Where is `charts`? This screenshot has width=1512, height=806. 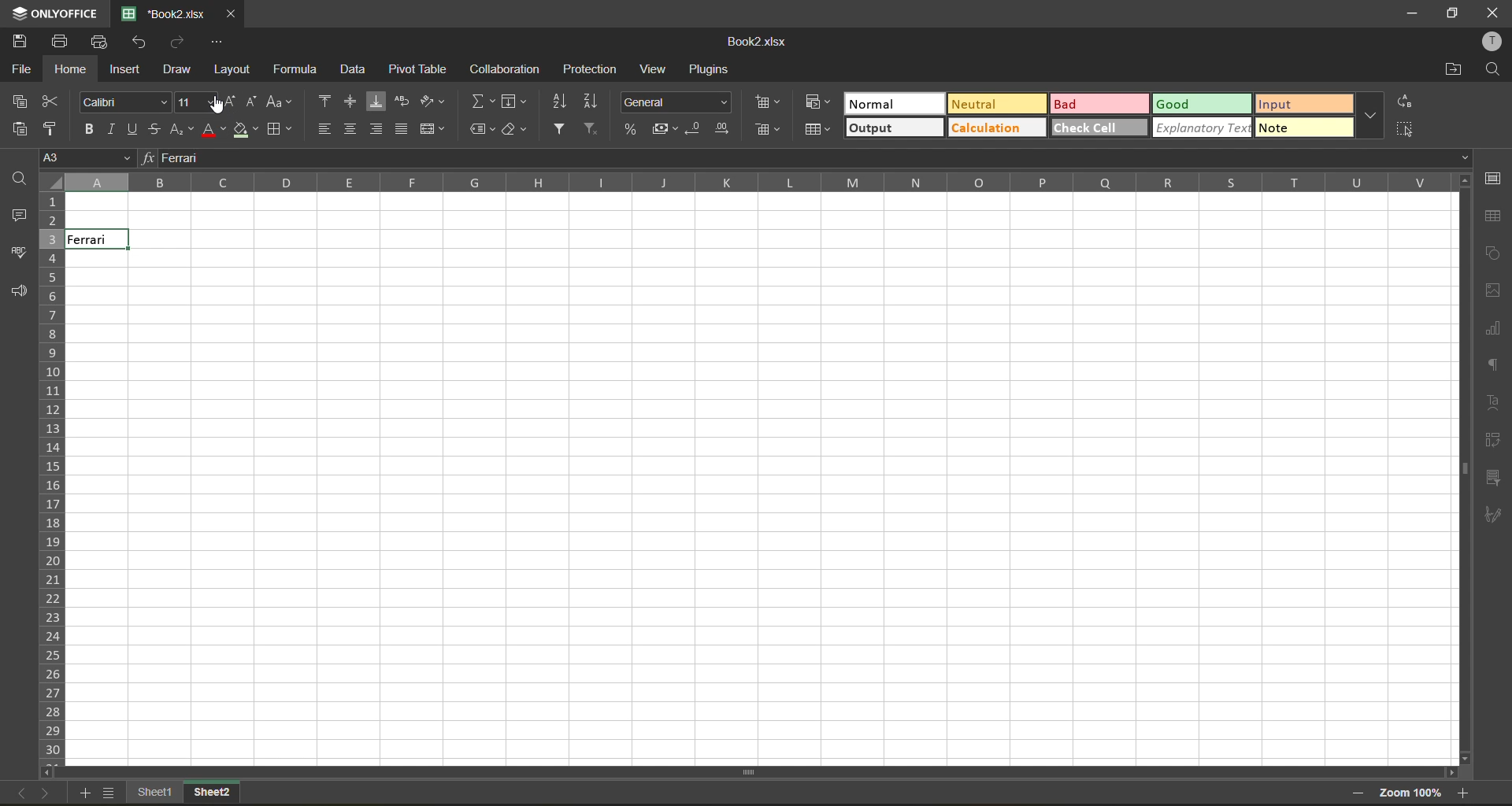 charts is located at coordinates (1494, 331).